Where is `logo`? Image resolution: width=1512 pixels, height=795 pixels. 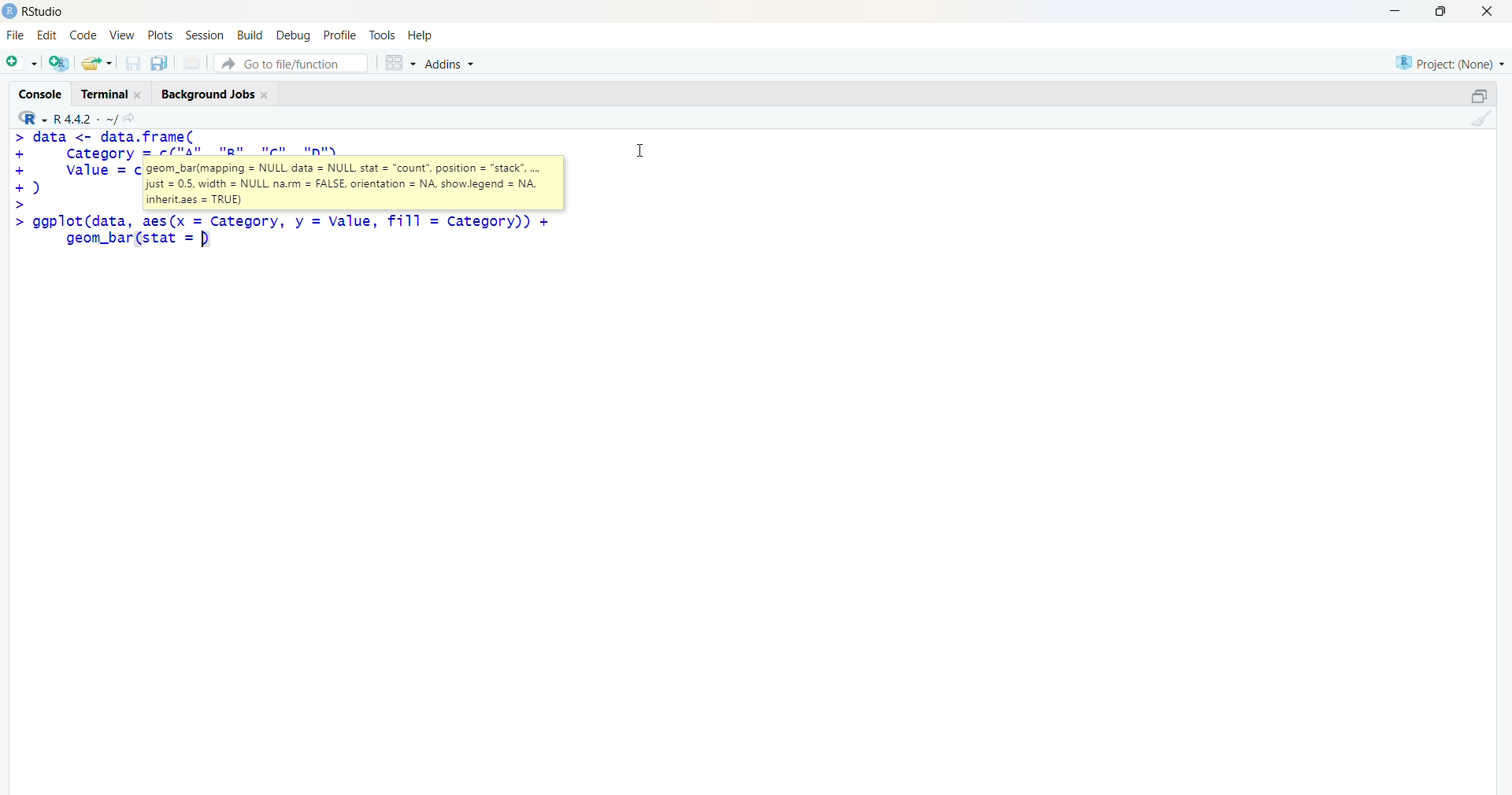
logo is located at coordinates (10, 11).